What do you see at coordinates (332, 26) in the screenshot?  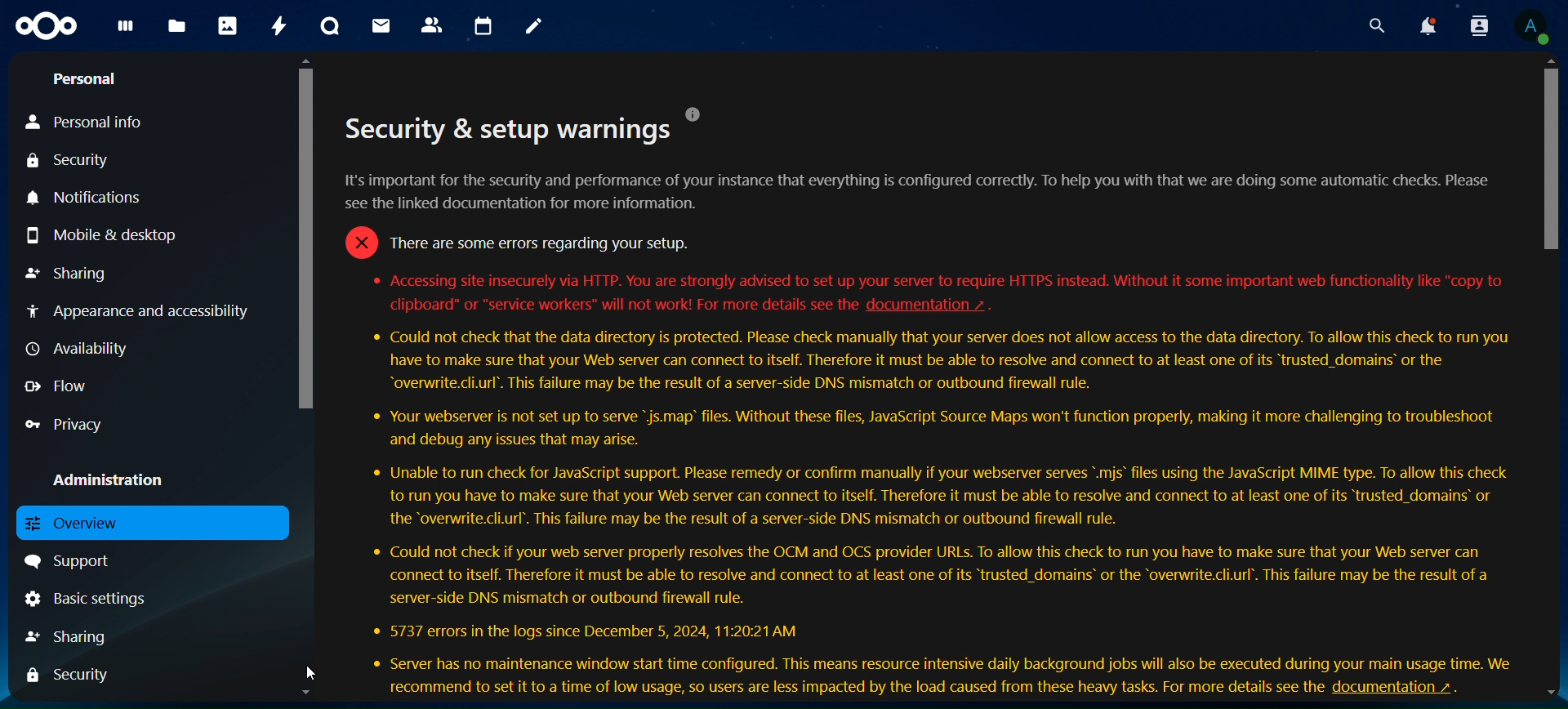 I see `talk` at bounding box center [332, 26].